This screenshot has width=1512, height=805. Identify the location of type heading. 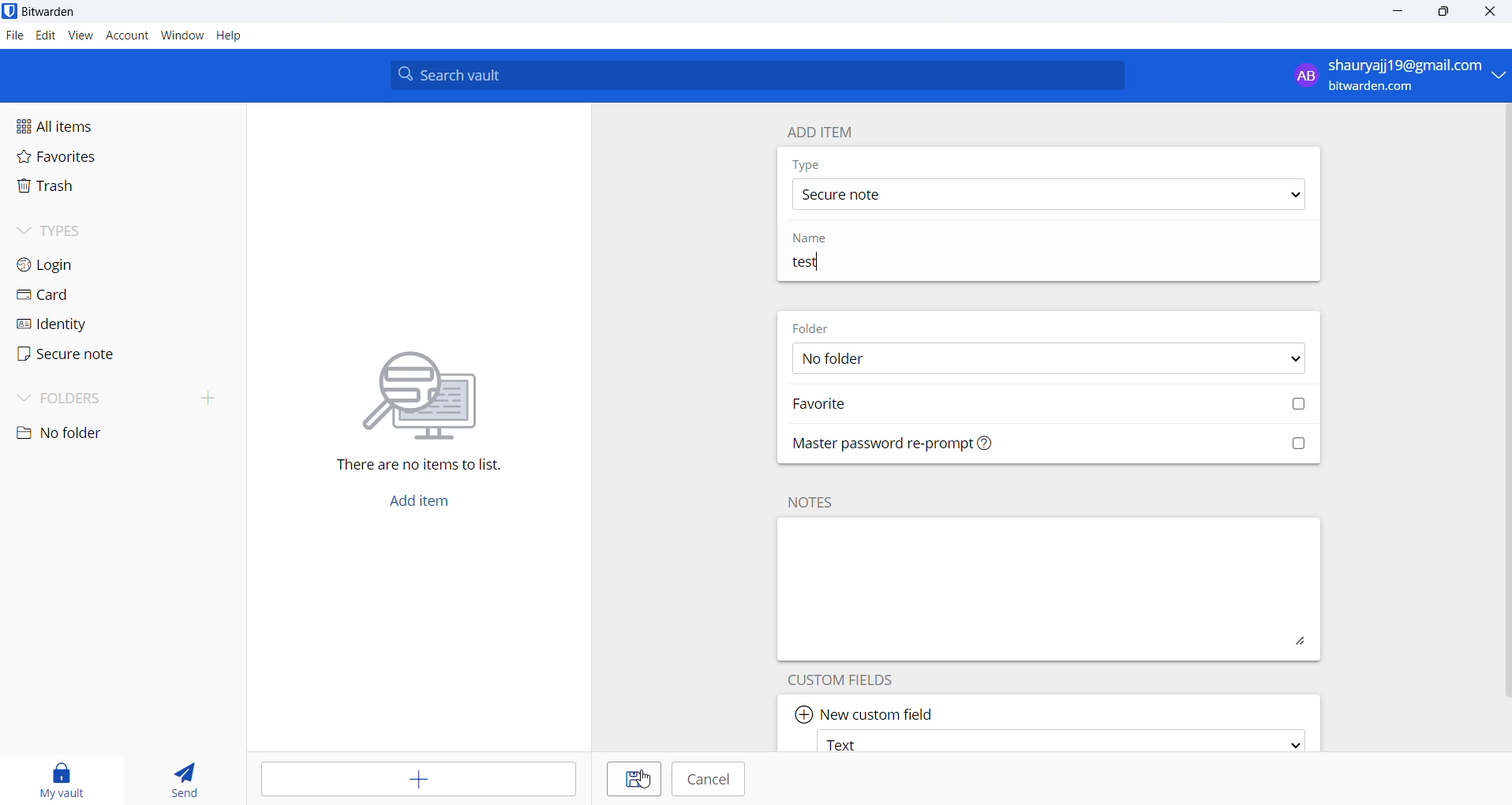
(807, 164).